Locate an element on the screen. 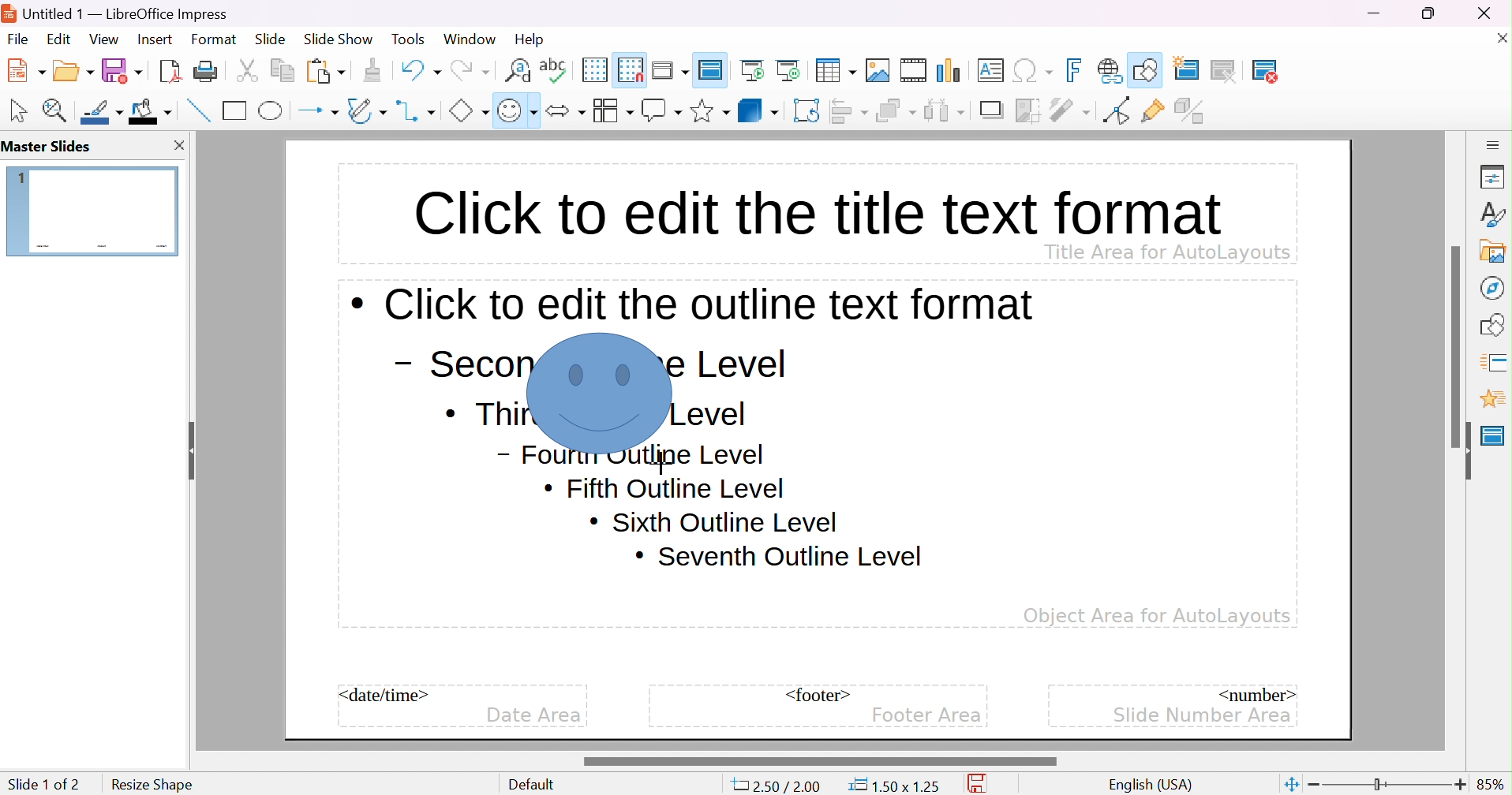 This screenshot has width=1512, height=795. snap to grid is located at coordinates (631, 68).